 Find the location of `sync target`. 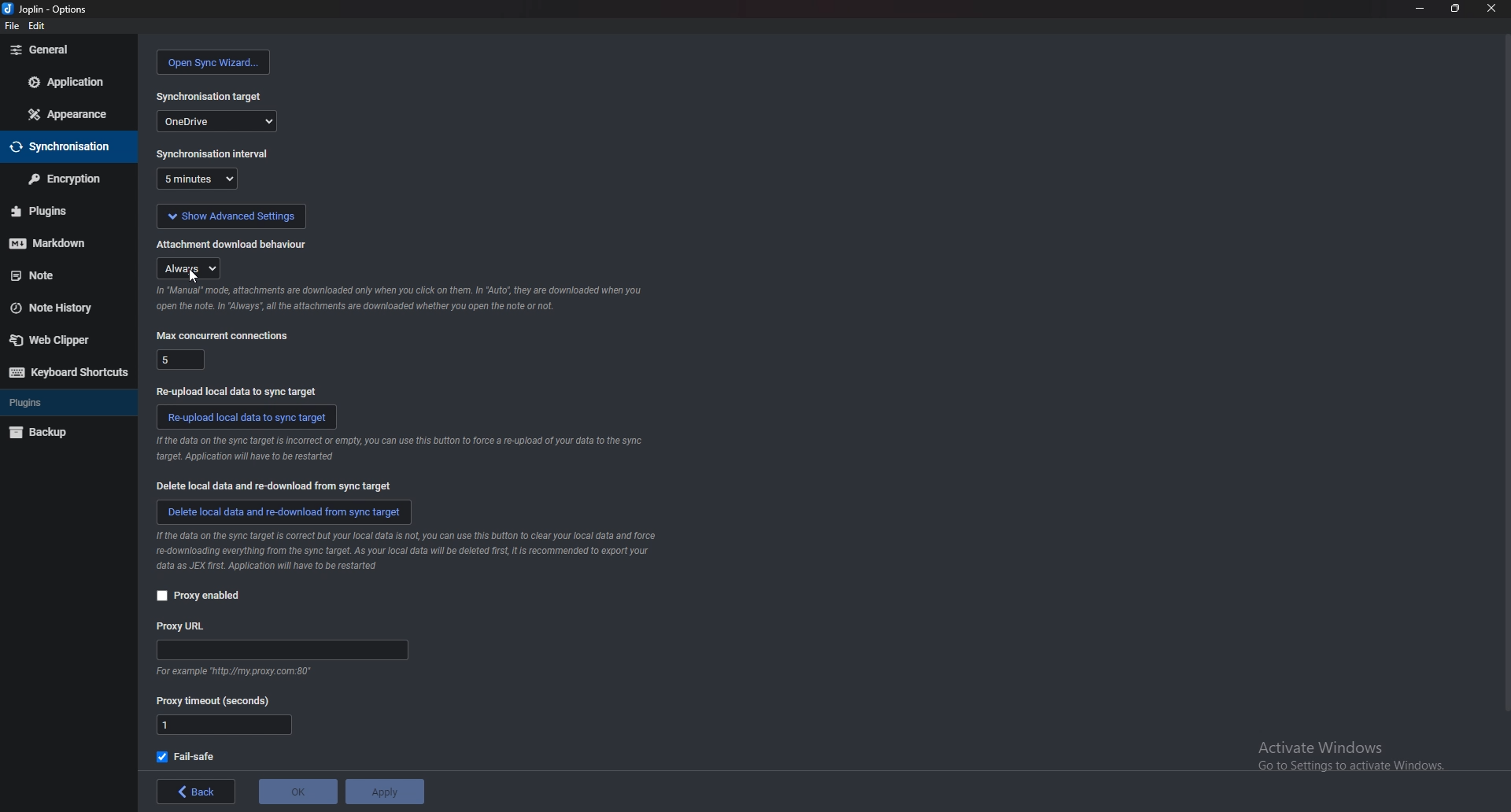

sync target is located at coordinates (210, 97).